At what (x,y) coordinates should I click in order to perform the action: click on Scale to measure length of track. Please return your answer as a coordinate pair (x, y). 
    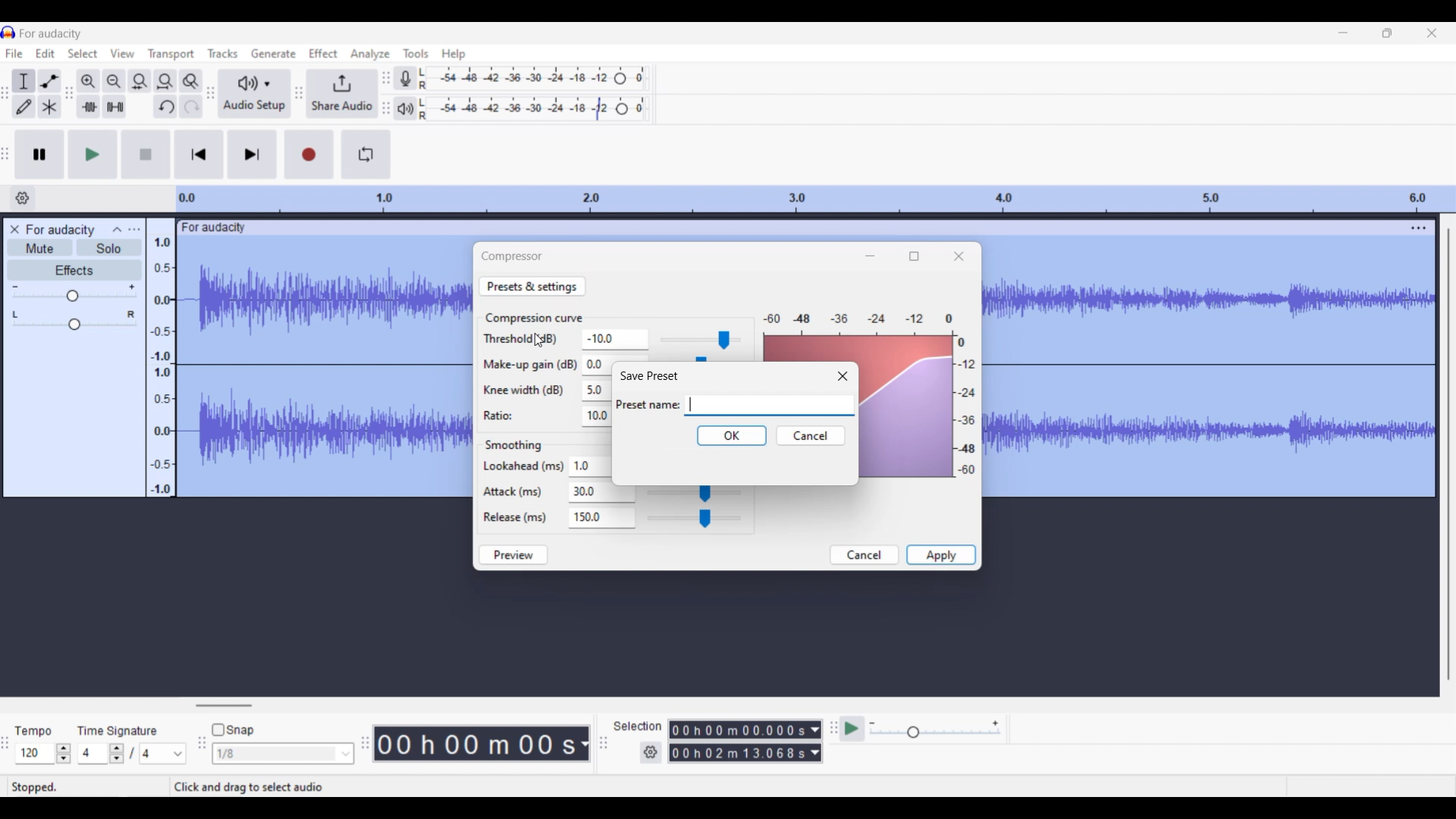
    Looking at the image, I should click on (815, 199).